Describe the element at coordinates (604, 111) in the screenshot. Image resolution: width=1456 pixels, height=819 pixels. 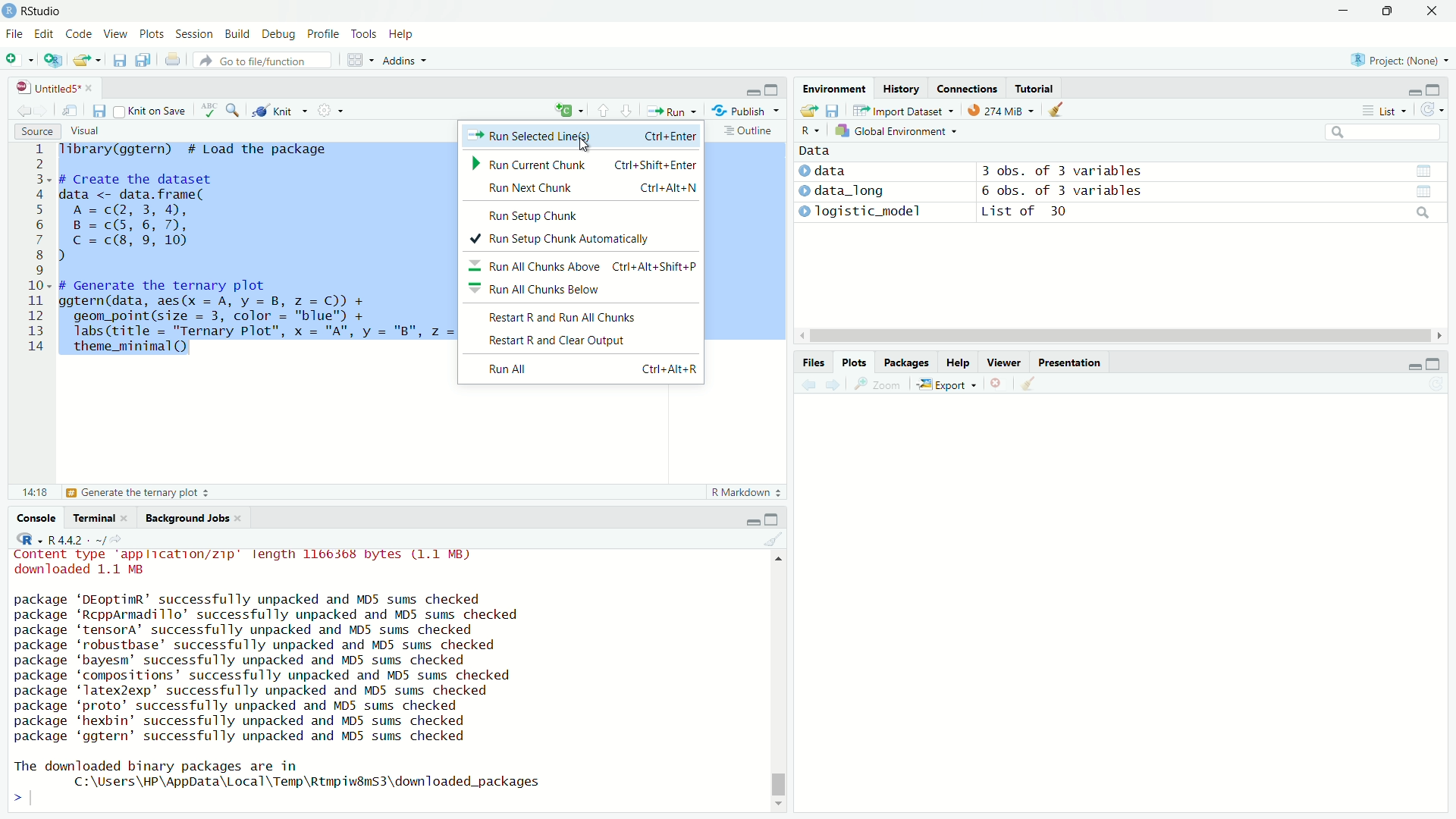
I see `upward` at that location.